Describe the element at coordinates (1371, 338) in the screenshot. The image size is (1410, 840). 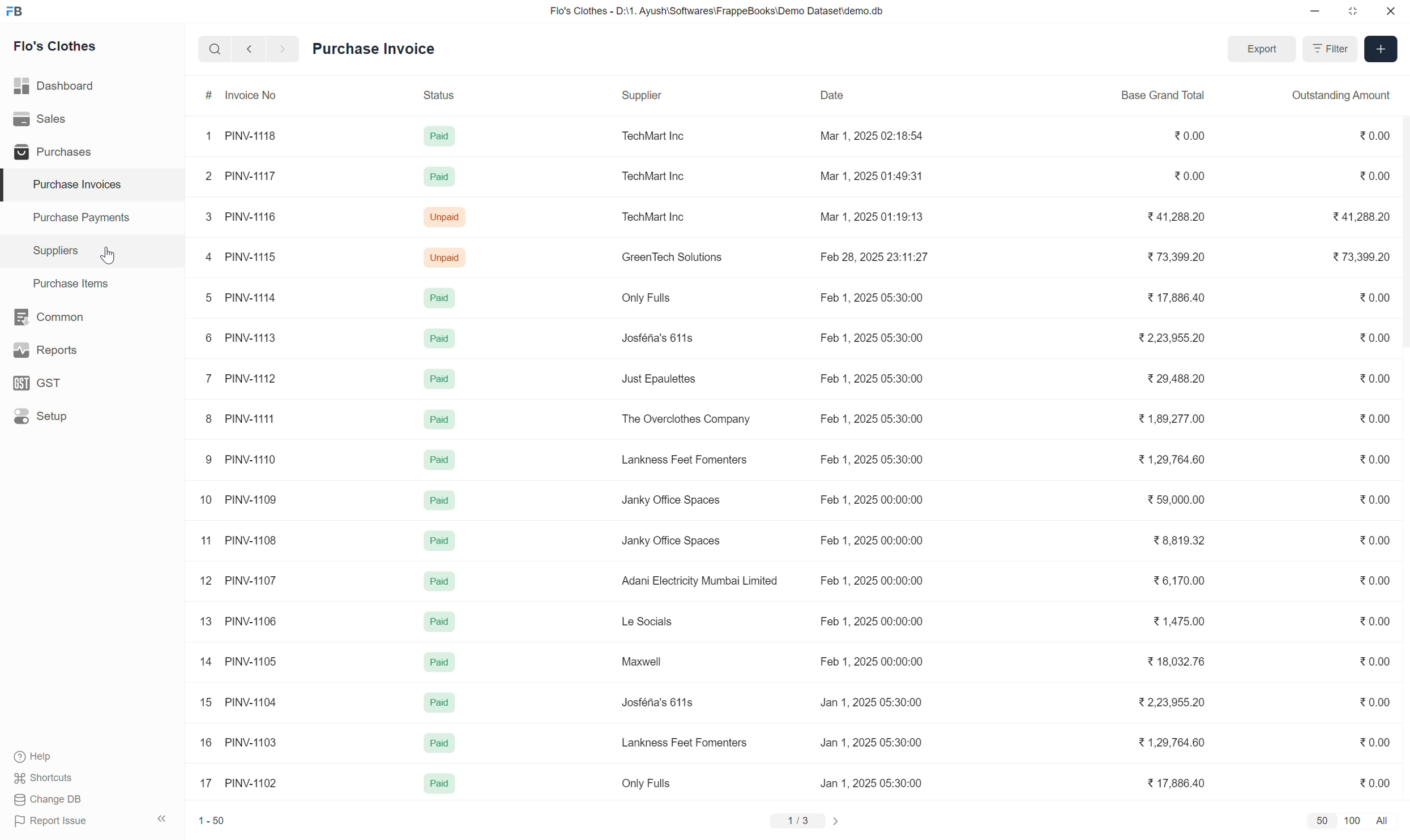
I see `%0.00` at that location.